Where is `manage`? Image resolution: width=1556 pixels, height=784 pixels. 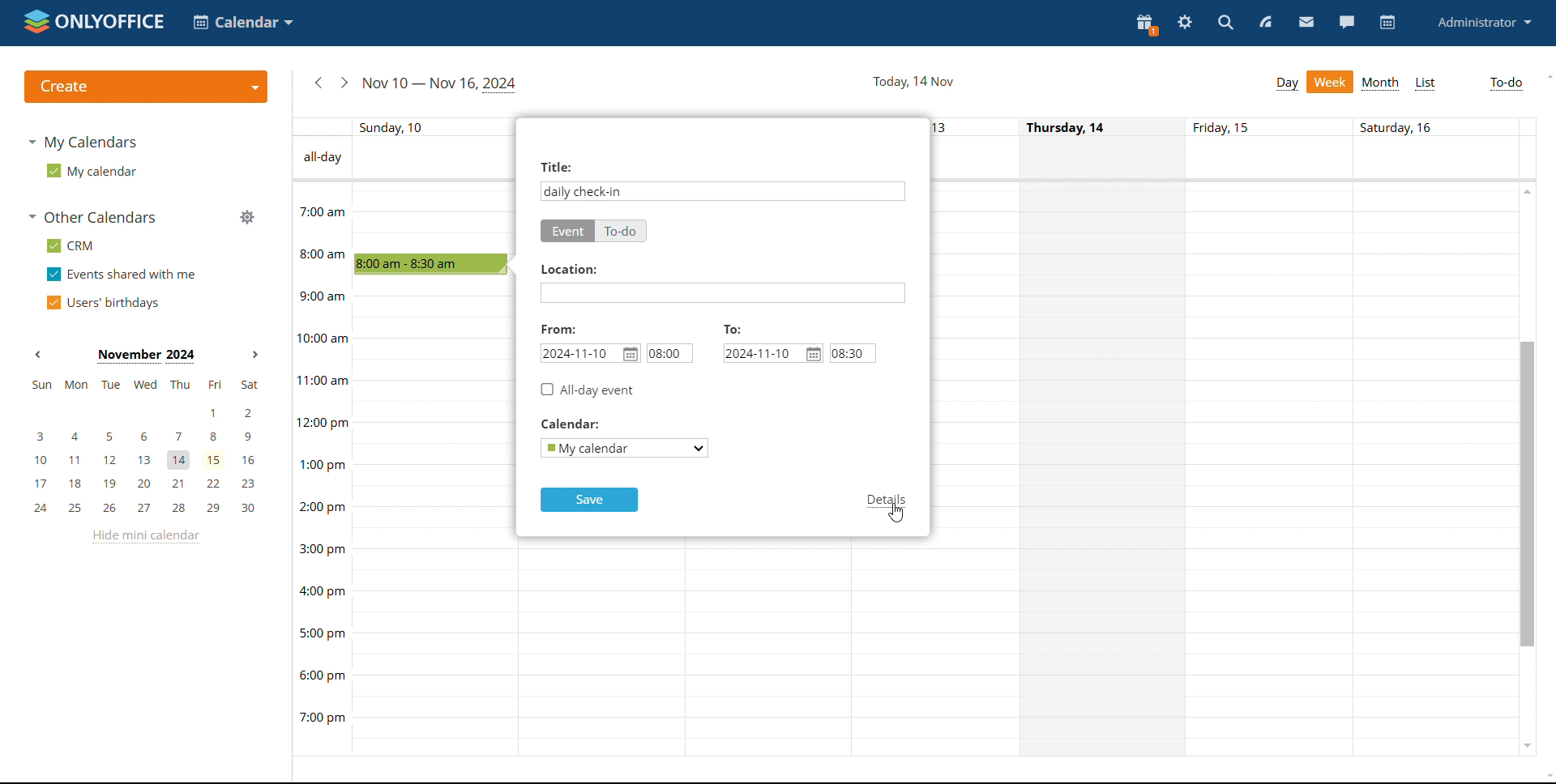 manage is located at coordinates (246, 217).